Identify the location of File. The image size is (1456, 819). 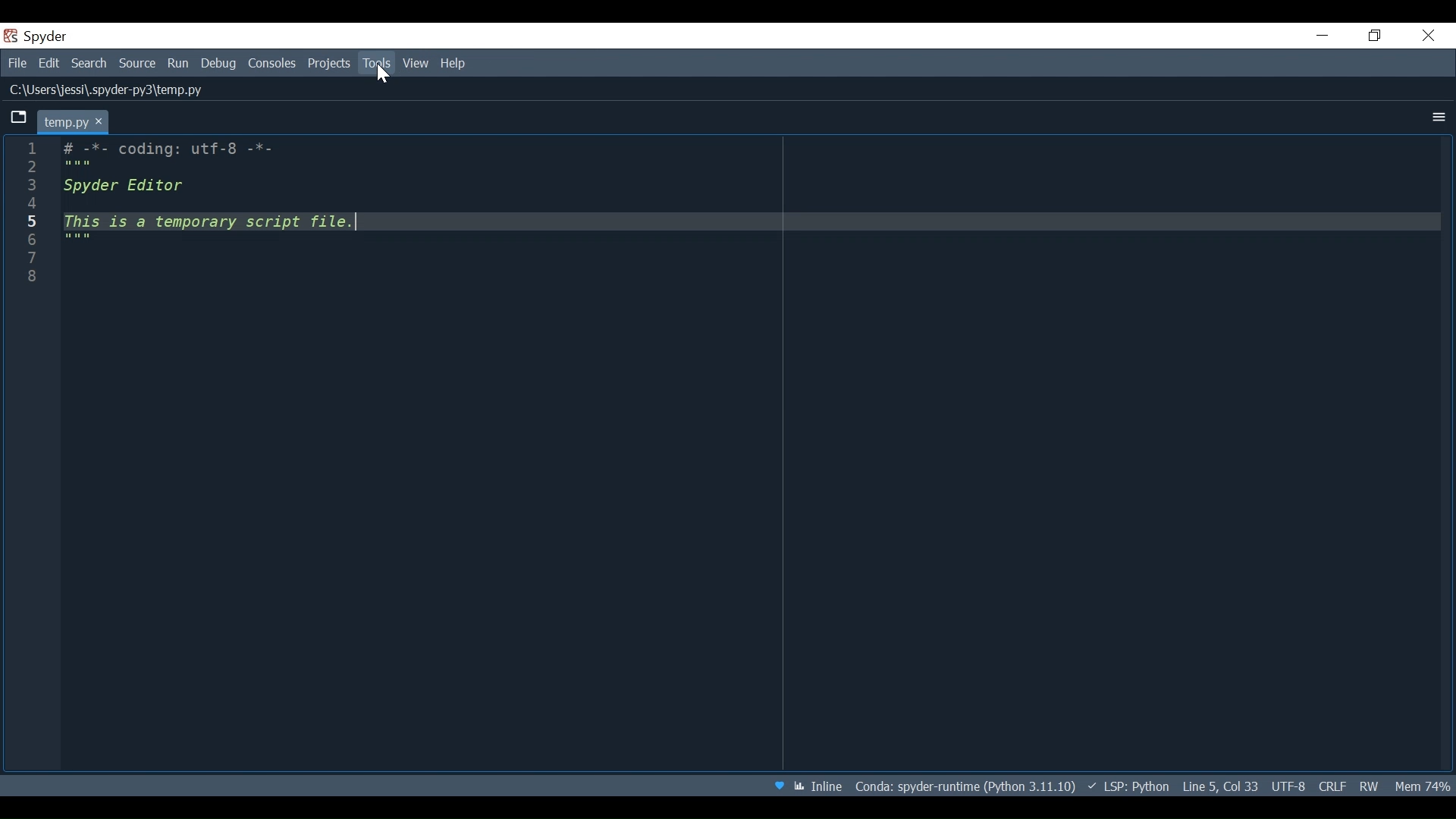
(17, 64).